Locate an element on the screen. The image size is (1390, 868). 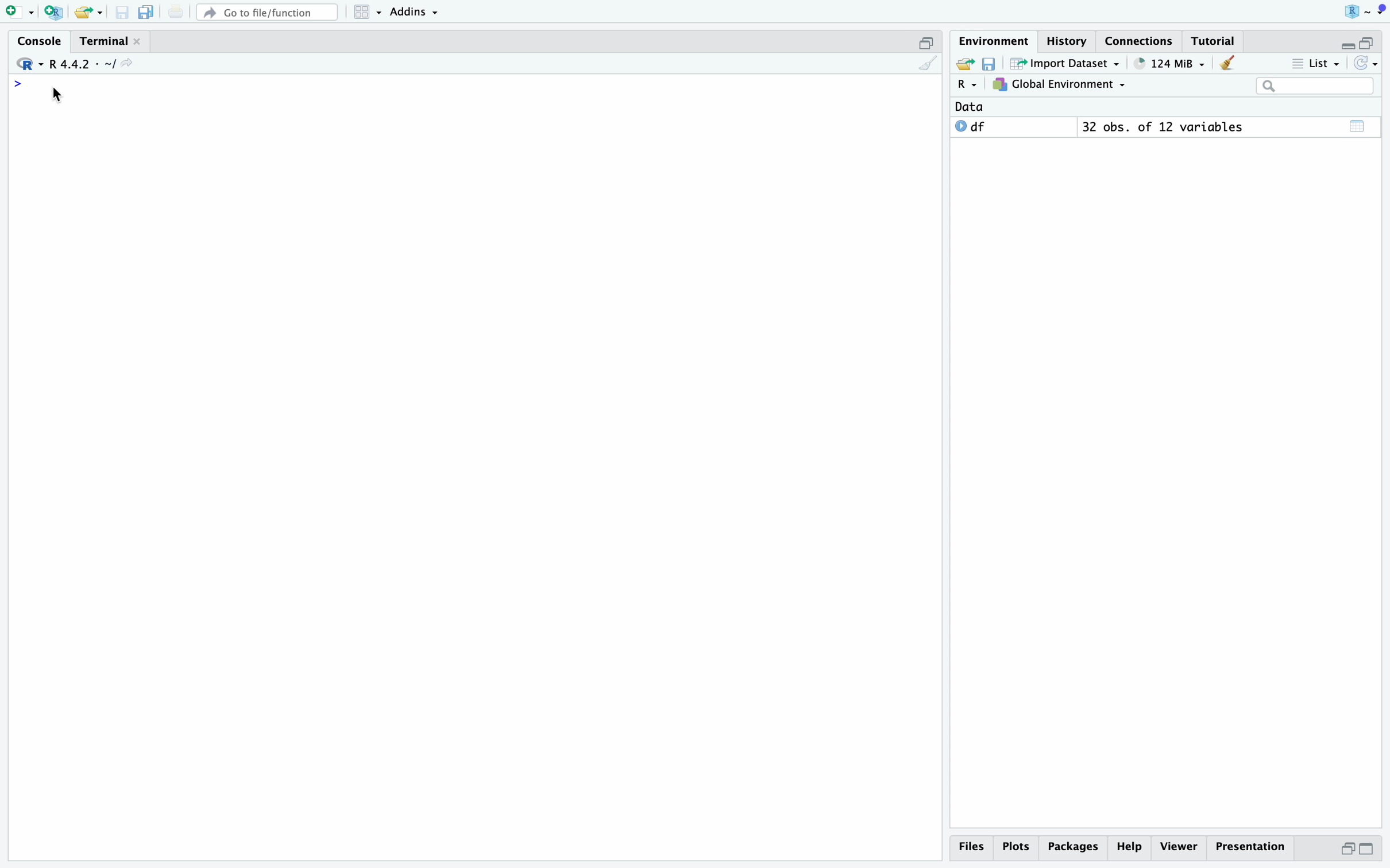
df is located at coordinates (971, 126).